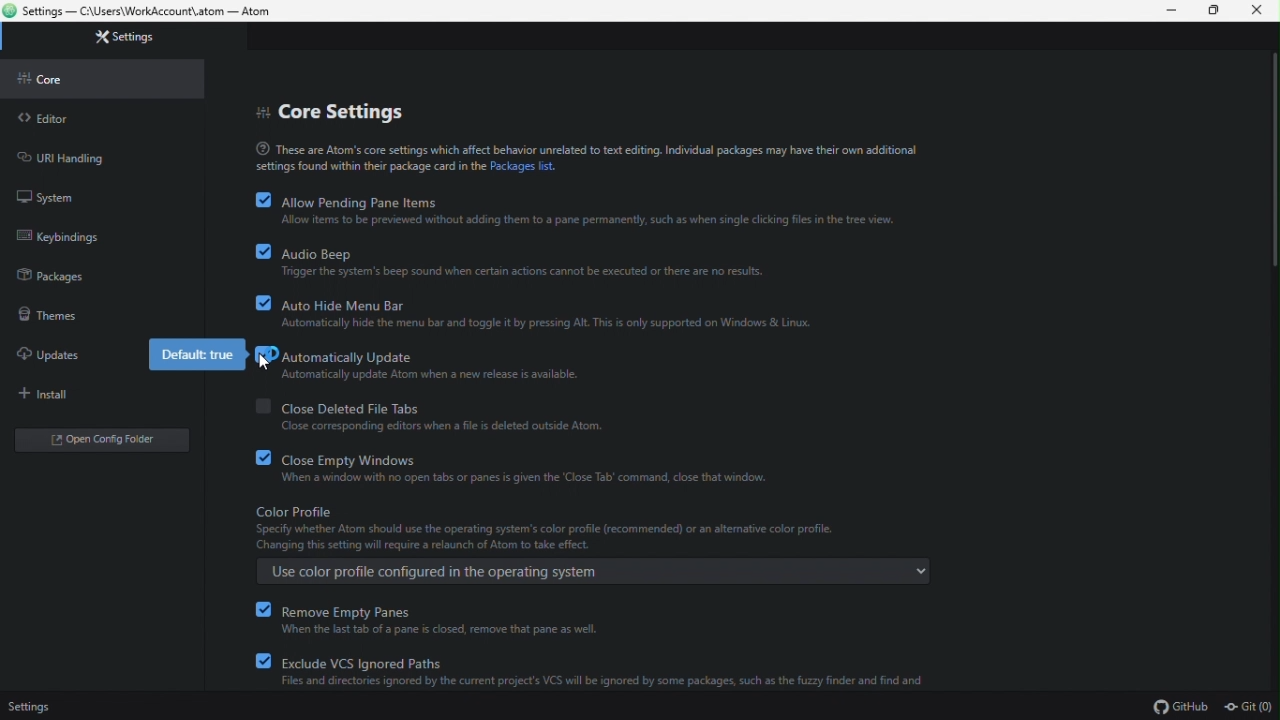 The image size is (1280, 720). Describe the element at coordinates (599, 670) in the screenshot. I see `Exclude VCS Ignored Paths` at that location.